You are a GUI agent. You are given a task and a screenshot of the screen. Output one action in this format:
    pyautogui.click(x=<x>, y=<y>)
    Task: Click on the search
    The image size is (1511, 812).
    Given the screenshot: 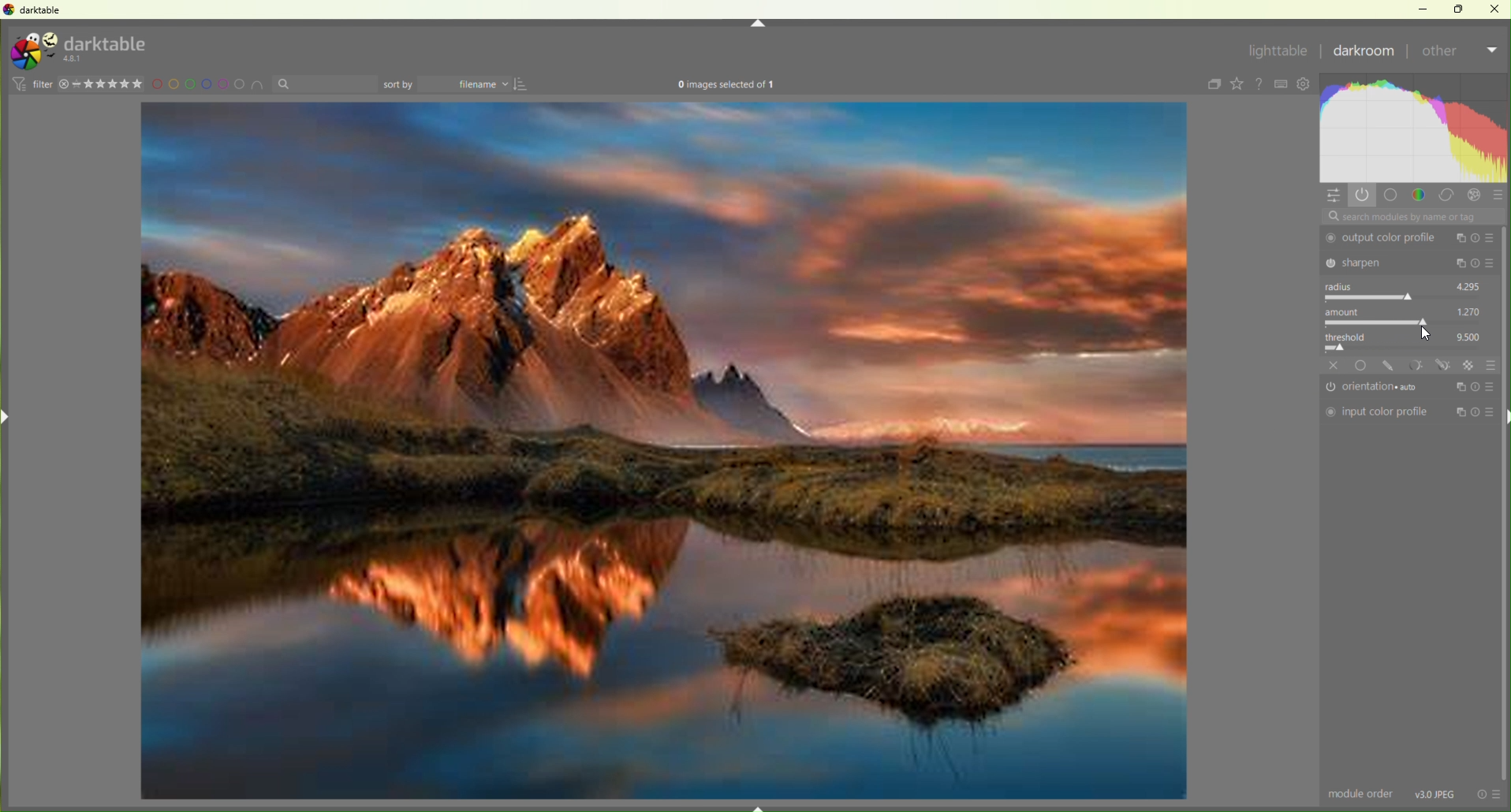 What is the action you would take?
    pyautogui.click(x=1412, y=217)
    